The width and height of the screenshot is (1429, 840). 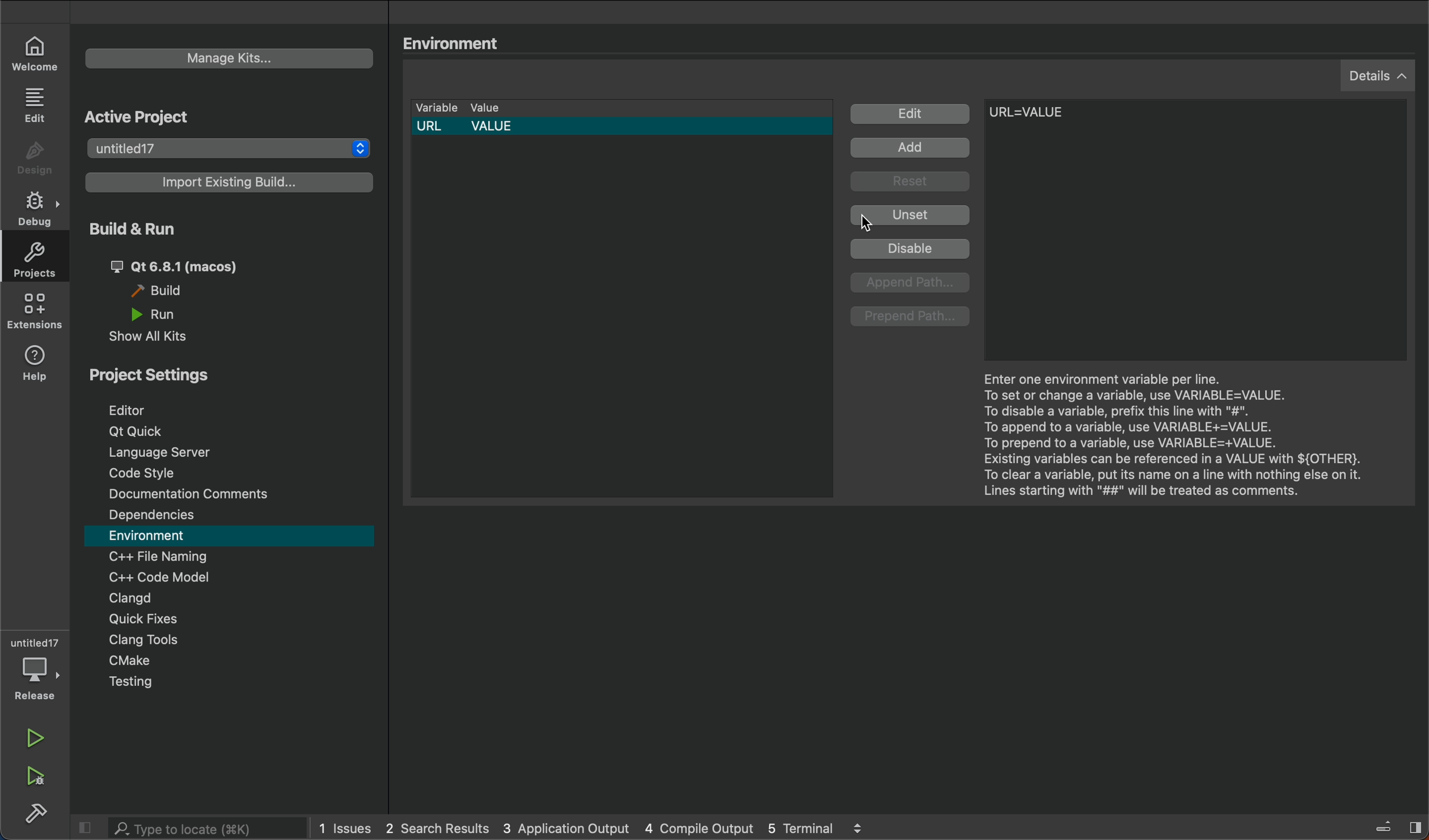 What do you see at coordinates (912, 283) in the screenshot?
I see `append path` at bounding box center [912, 283].